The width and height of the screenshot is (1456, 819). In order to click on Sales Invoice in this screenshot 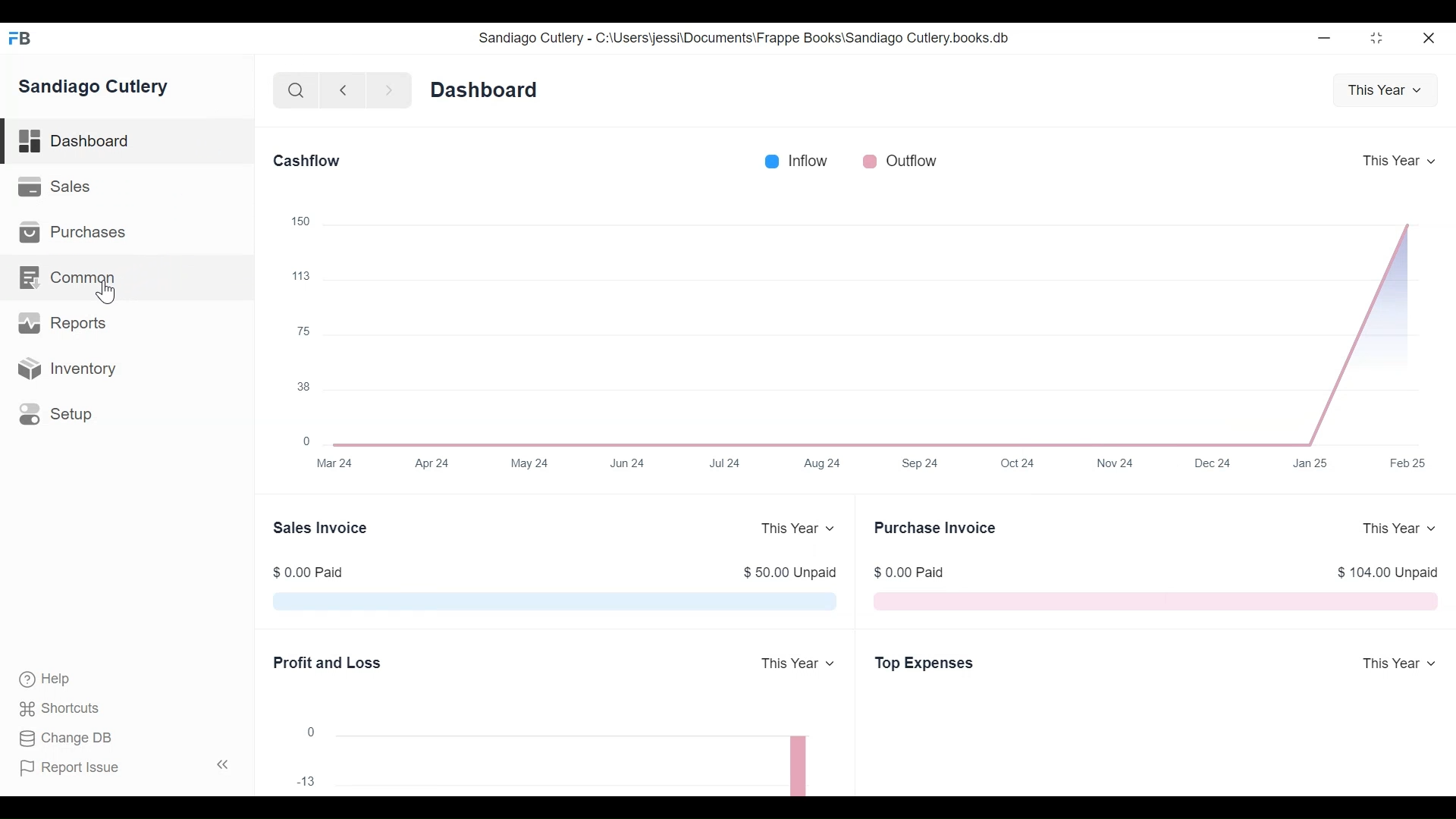, I will do `click(324, 526)`.